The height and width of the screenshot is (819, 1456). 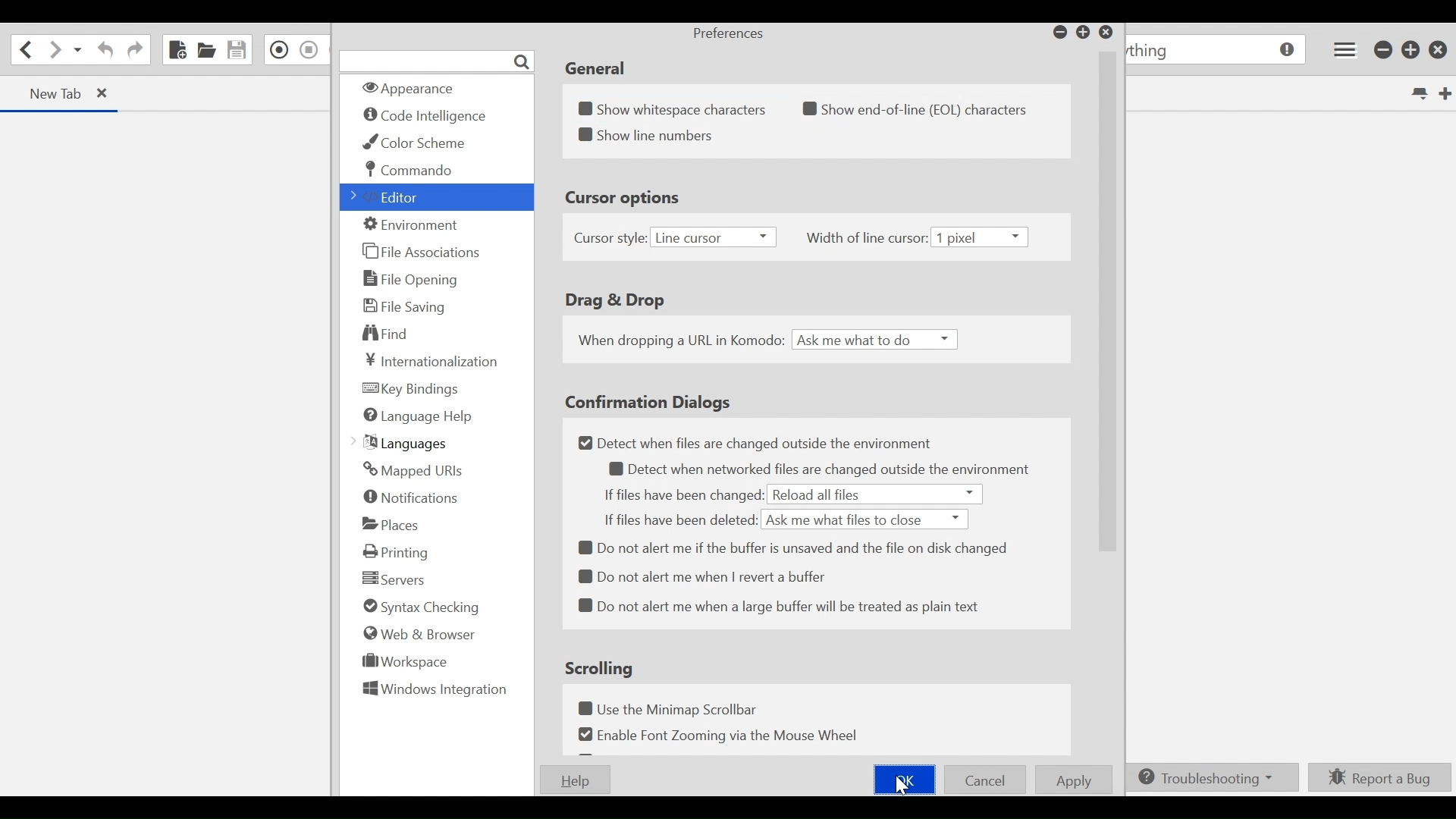 I want to click on Redo last Action, so click(x=134, y=52).